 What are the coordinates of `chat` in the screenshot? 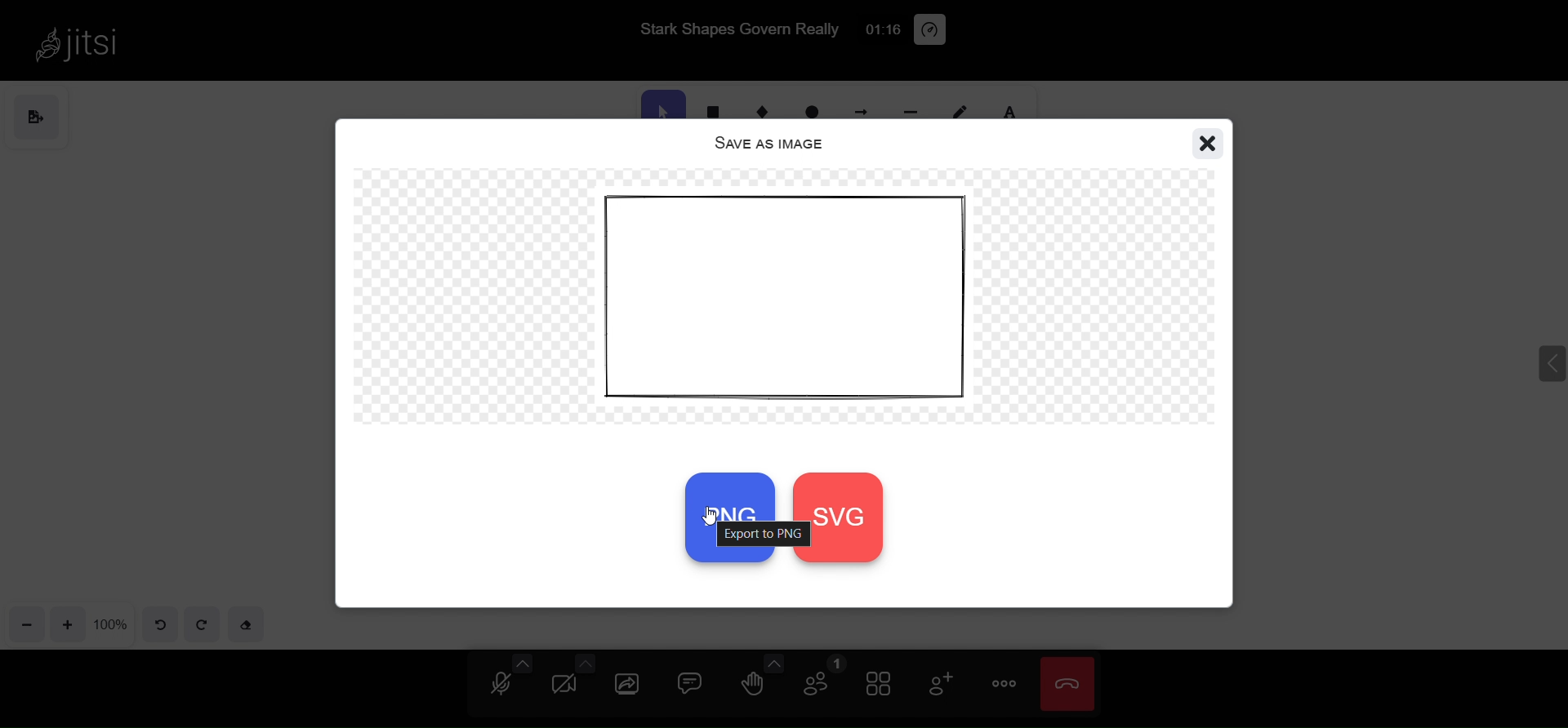 It's located at (692, 683).